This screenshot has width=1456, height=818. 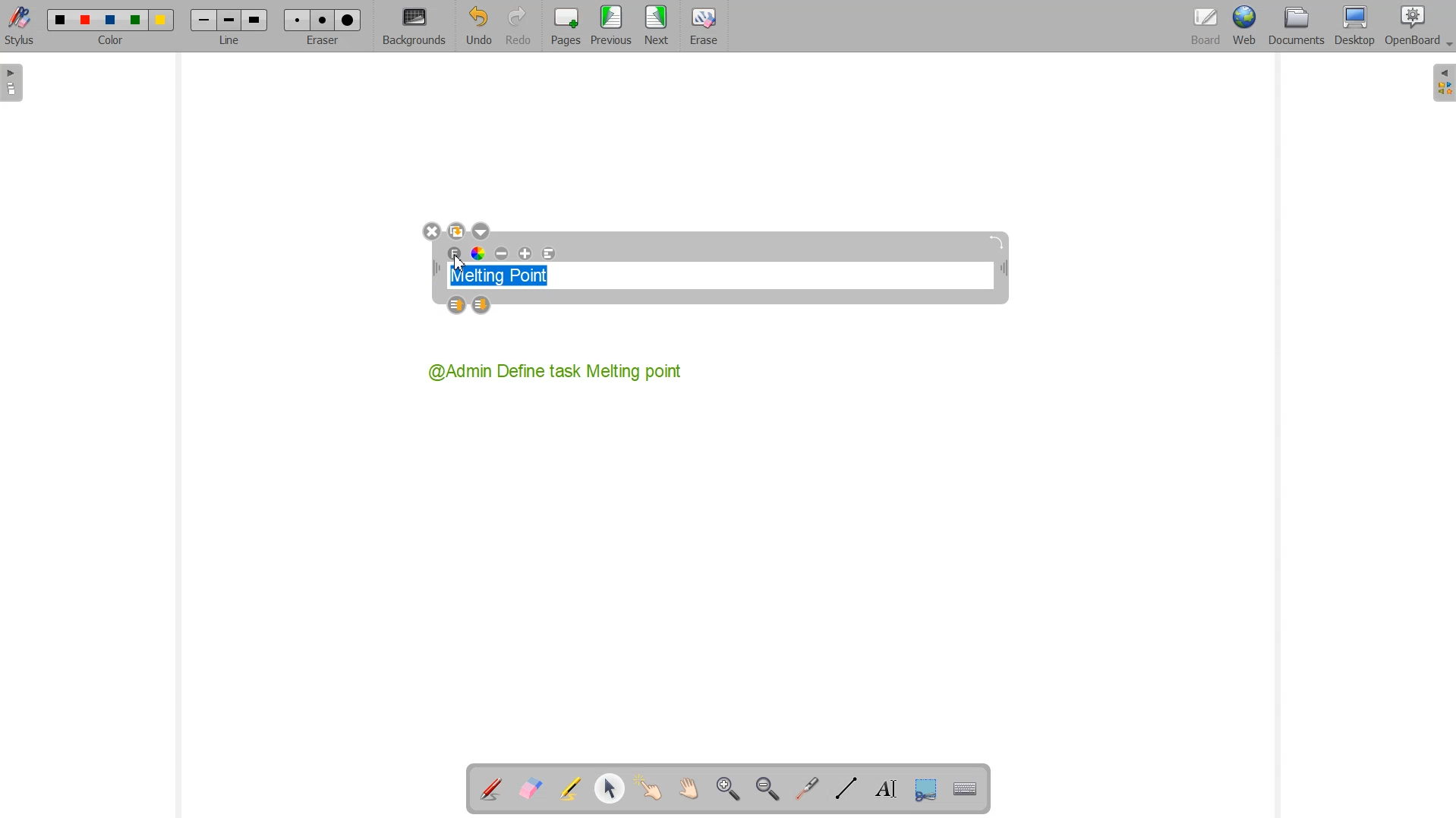 I want to click on Highlight, so click(x=572, y=790).